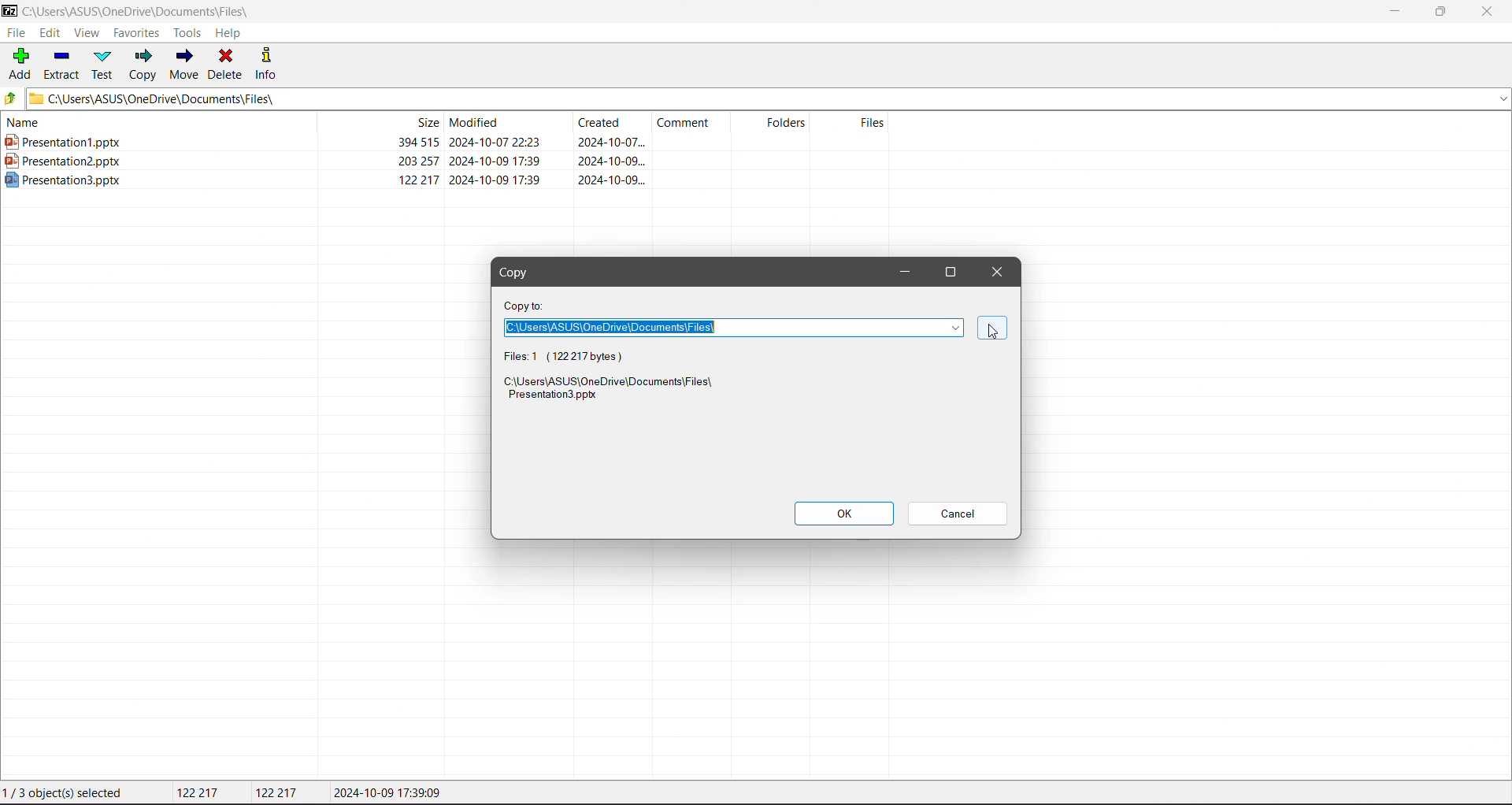  Describe the element at coordinates (1441, 10) in the screenshot. I see `Restore Down` at that location.